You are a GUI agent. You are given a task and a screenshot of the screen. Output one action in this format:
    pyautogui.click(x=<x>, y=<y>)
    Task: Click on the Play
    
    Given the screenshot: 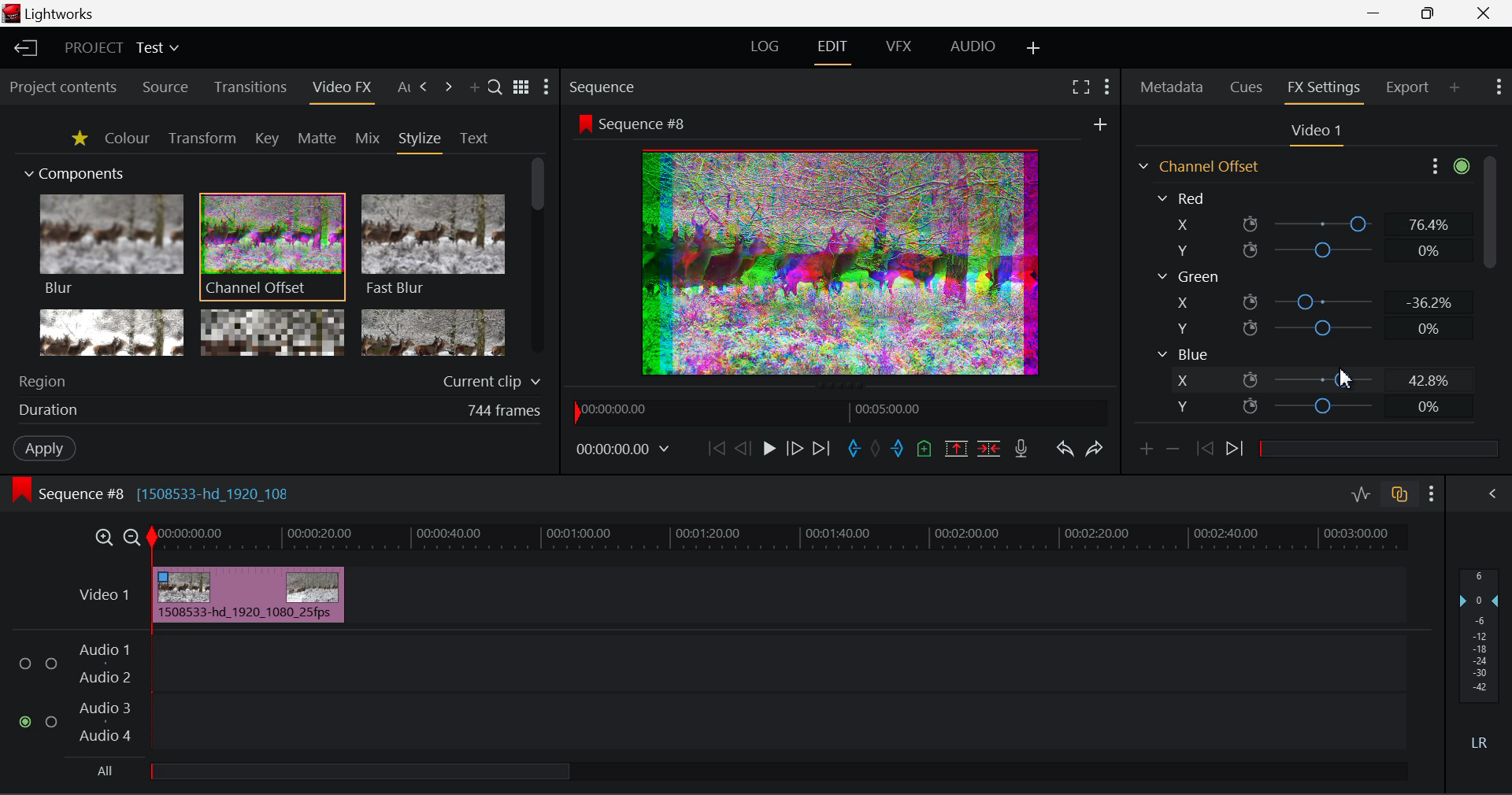 What is the action you would take?
    pyautogui.click(x=767, y=449)
    